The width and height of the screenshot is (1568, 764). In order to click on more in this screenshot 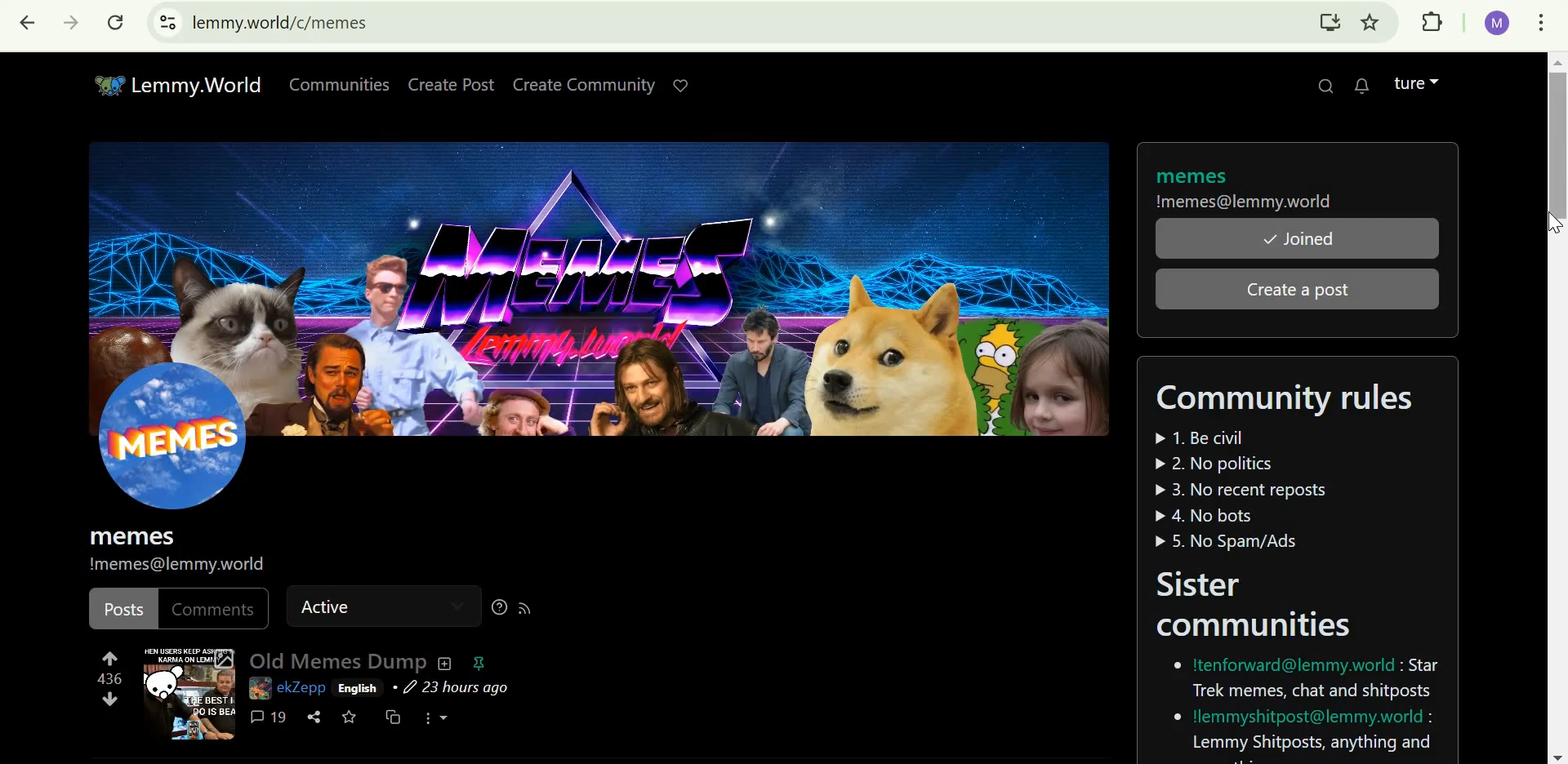, I will do `click(442, 717)`.